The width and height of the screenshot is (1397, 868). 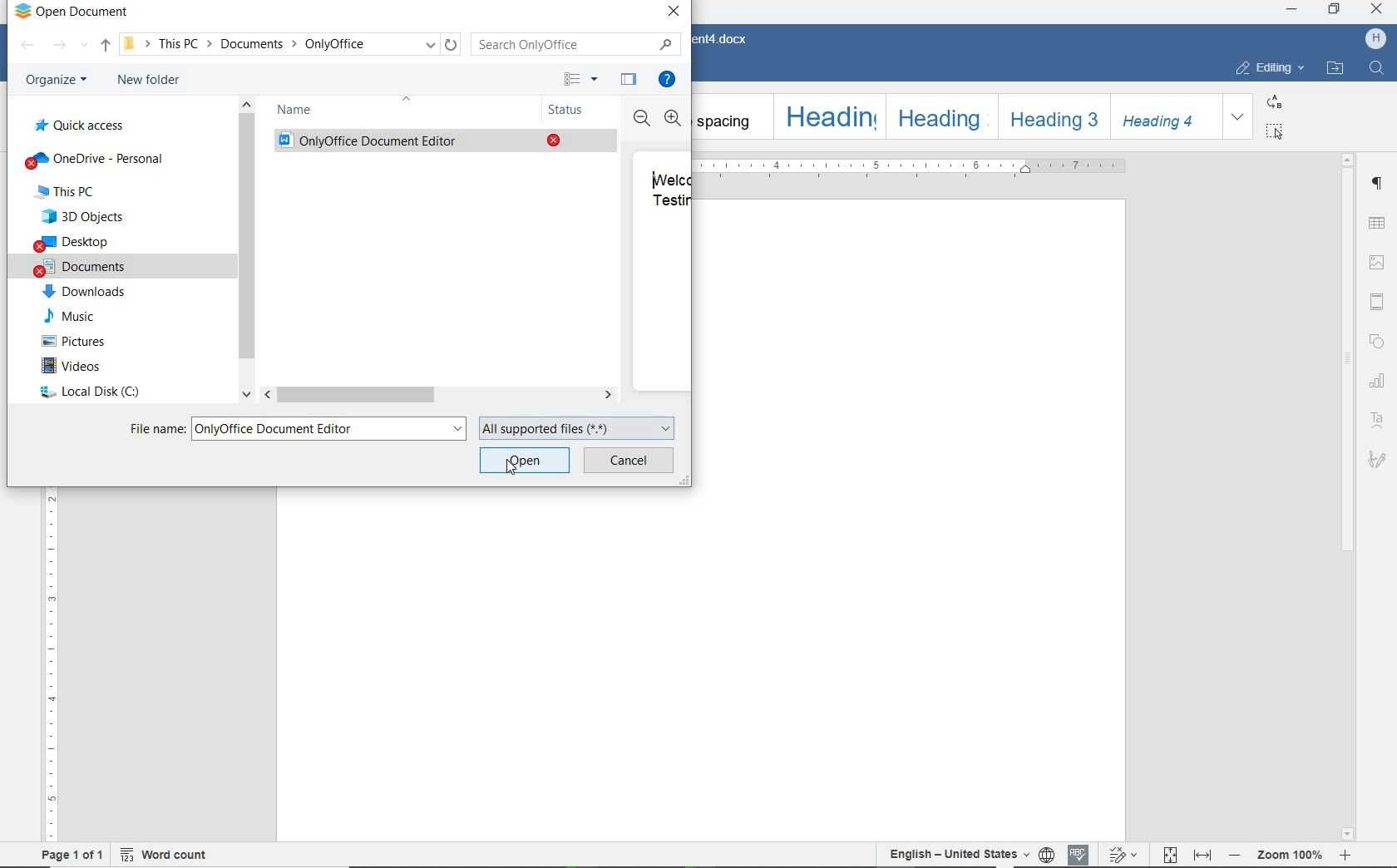 What do you see at coordinates (644, 117) in the screenshot?
I see `Zoom out` at bounding box center [644, 117].